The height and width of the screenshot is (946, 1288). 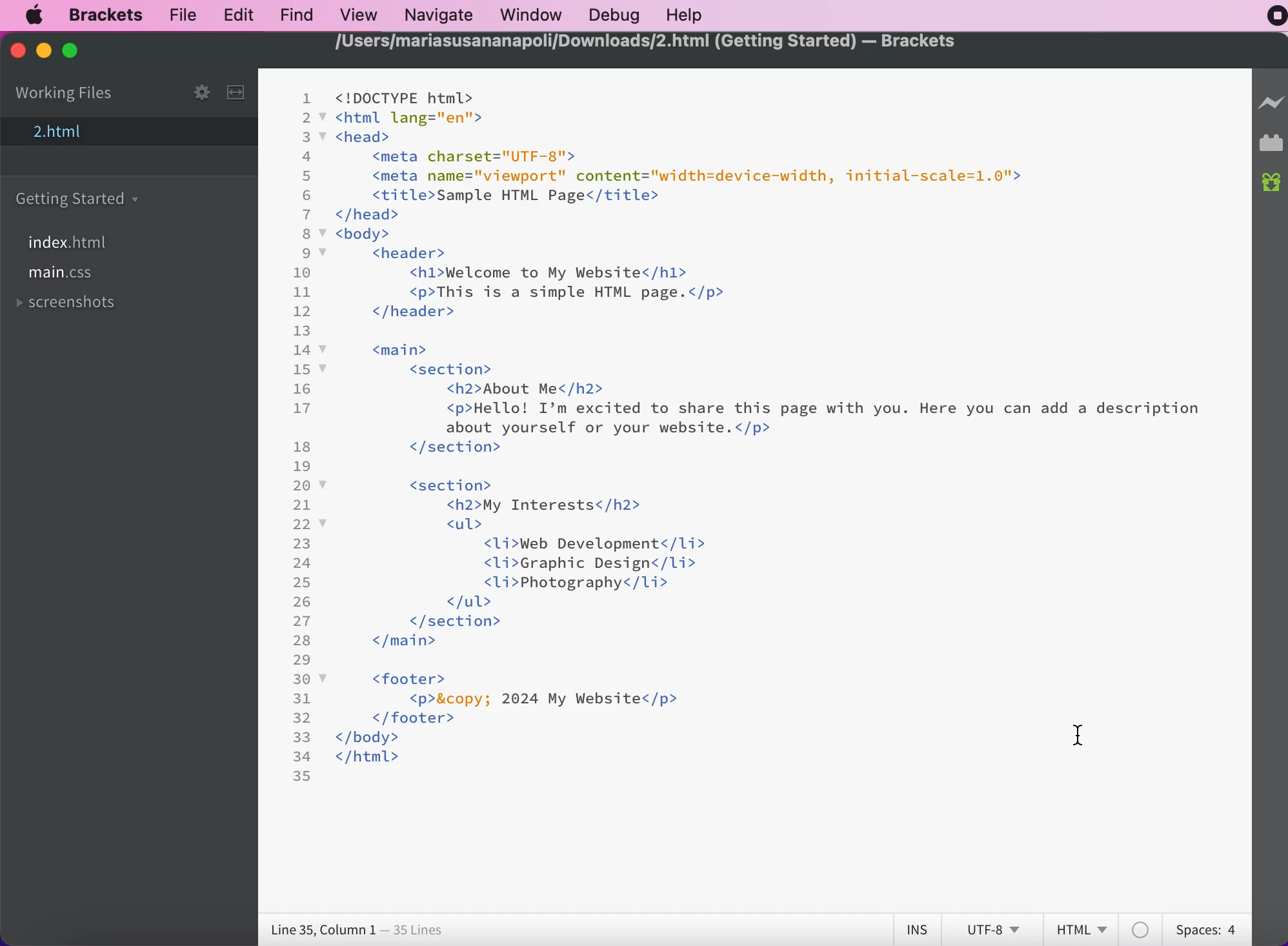 I want to click on split the editor vertically or horizontally, so click(x=235, y=92).